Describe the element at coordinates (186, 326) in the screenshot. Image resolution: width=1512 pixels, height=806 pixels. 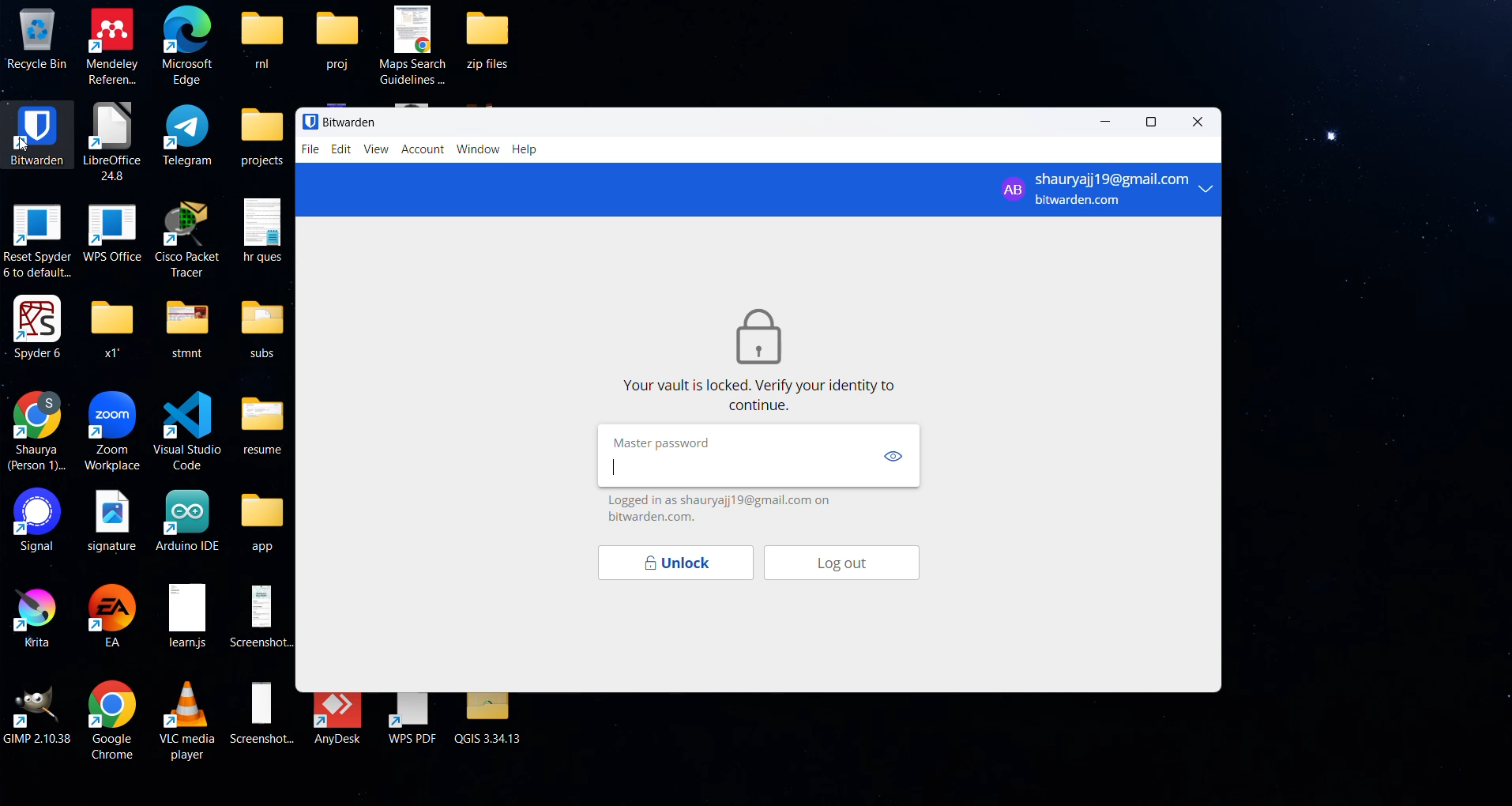
I see `stmnt` at that location.